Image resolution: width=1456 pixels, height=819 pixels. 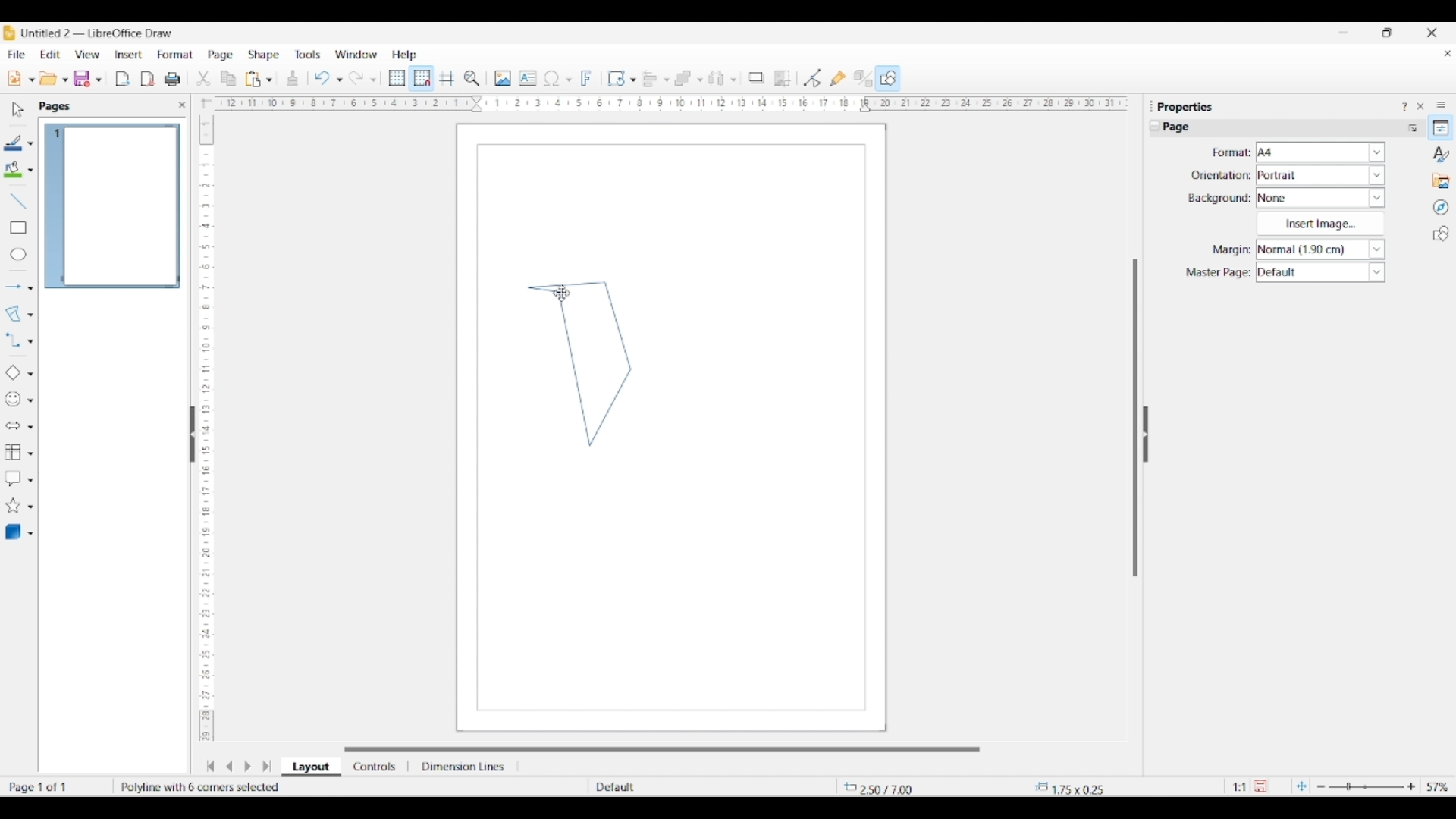 What do you see at coordinates (650, 77) in the screenshot?
I see `Selected alignment` at bounding box center [650, 77].